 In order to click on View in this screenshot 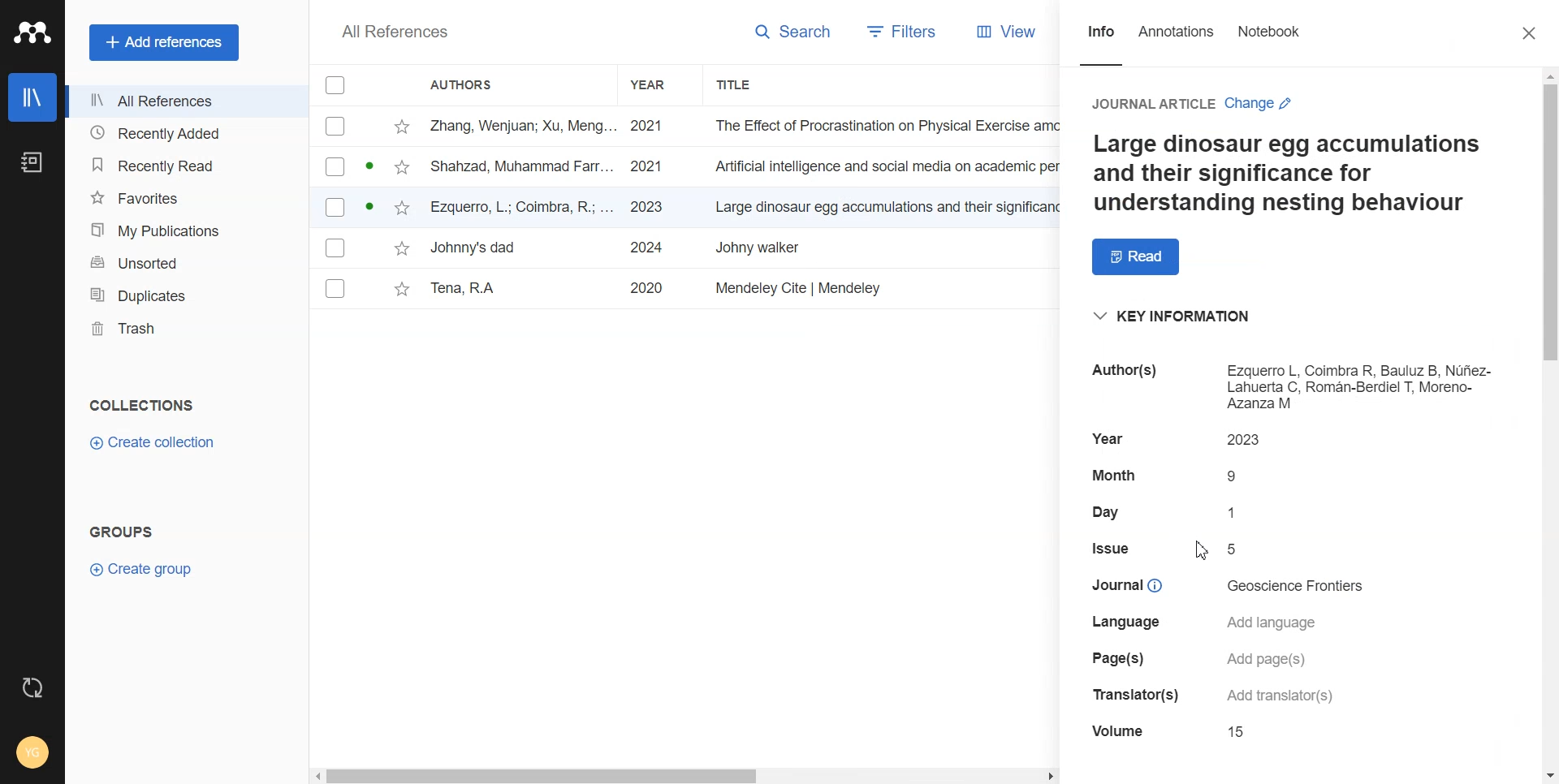, I will do `click(1008, 32)`.